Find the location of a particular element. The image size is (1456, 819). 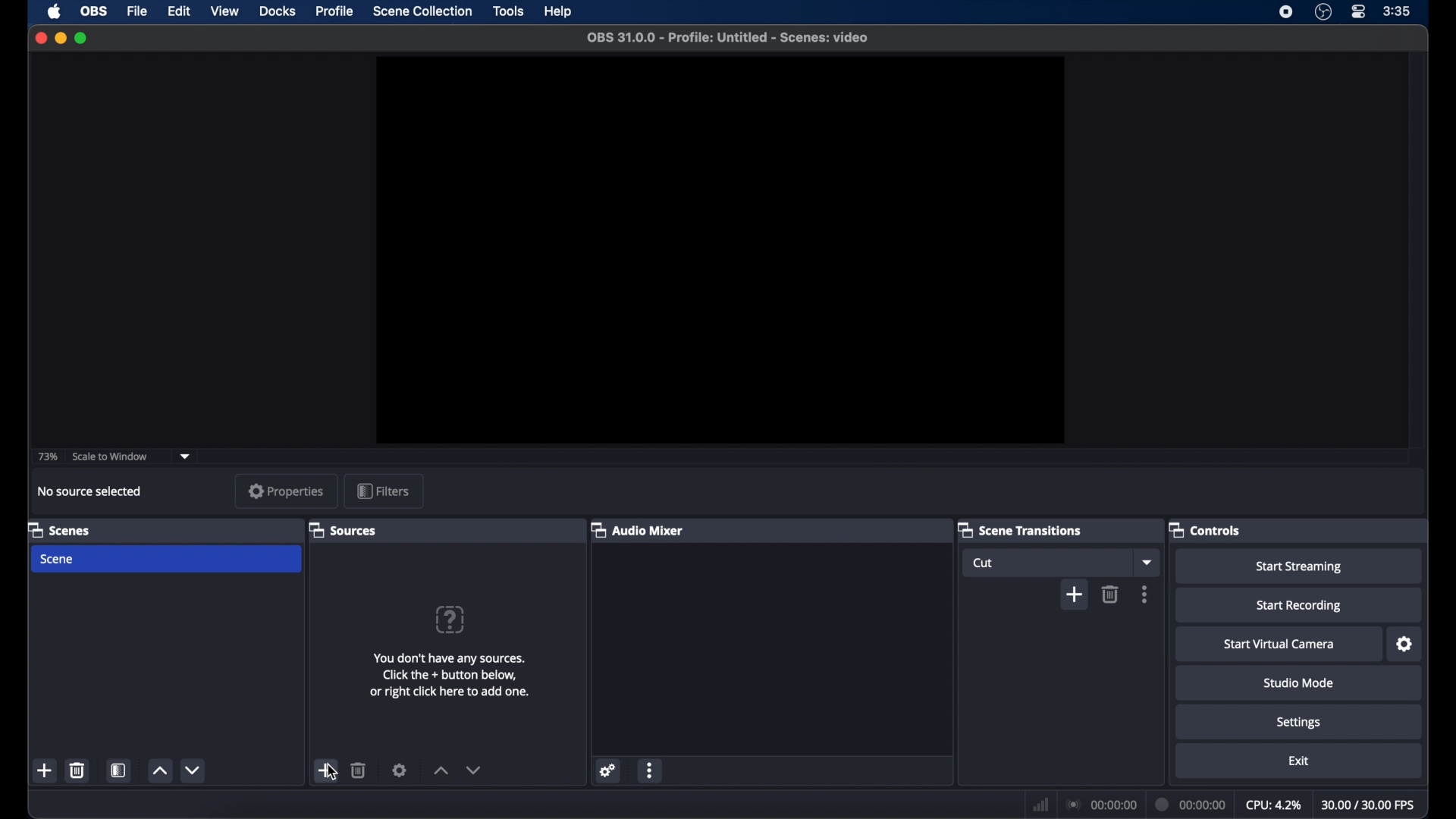

obs is located at coordinates (93, 11).